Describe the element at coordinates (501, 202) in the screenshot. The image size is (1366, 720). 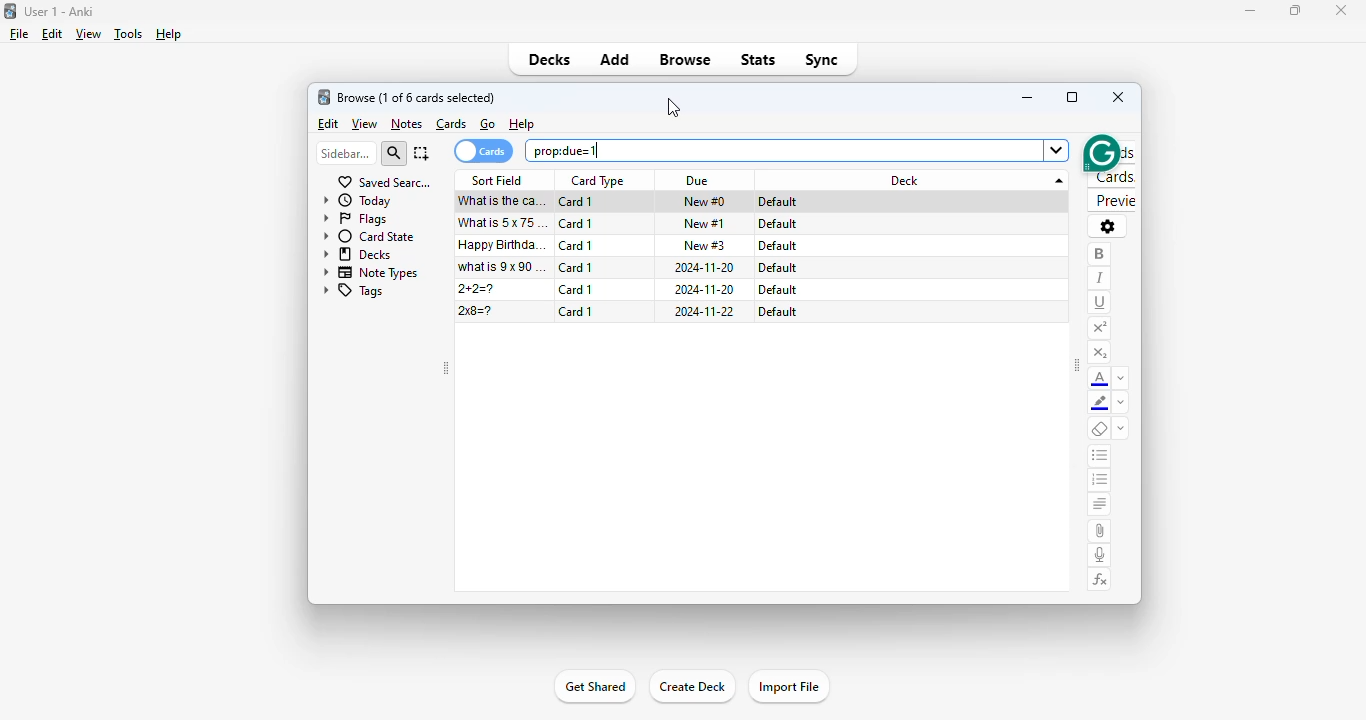
I see `what is the capital of France?` at that location.